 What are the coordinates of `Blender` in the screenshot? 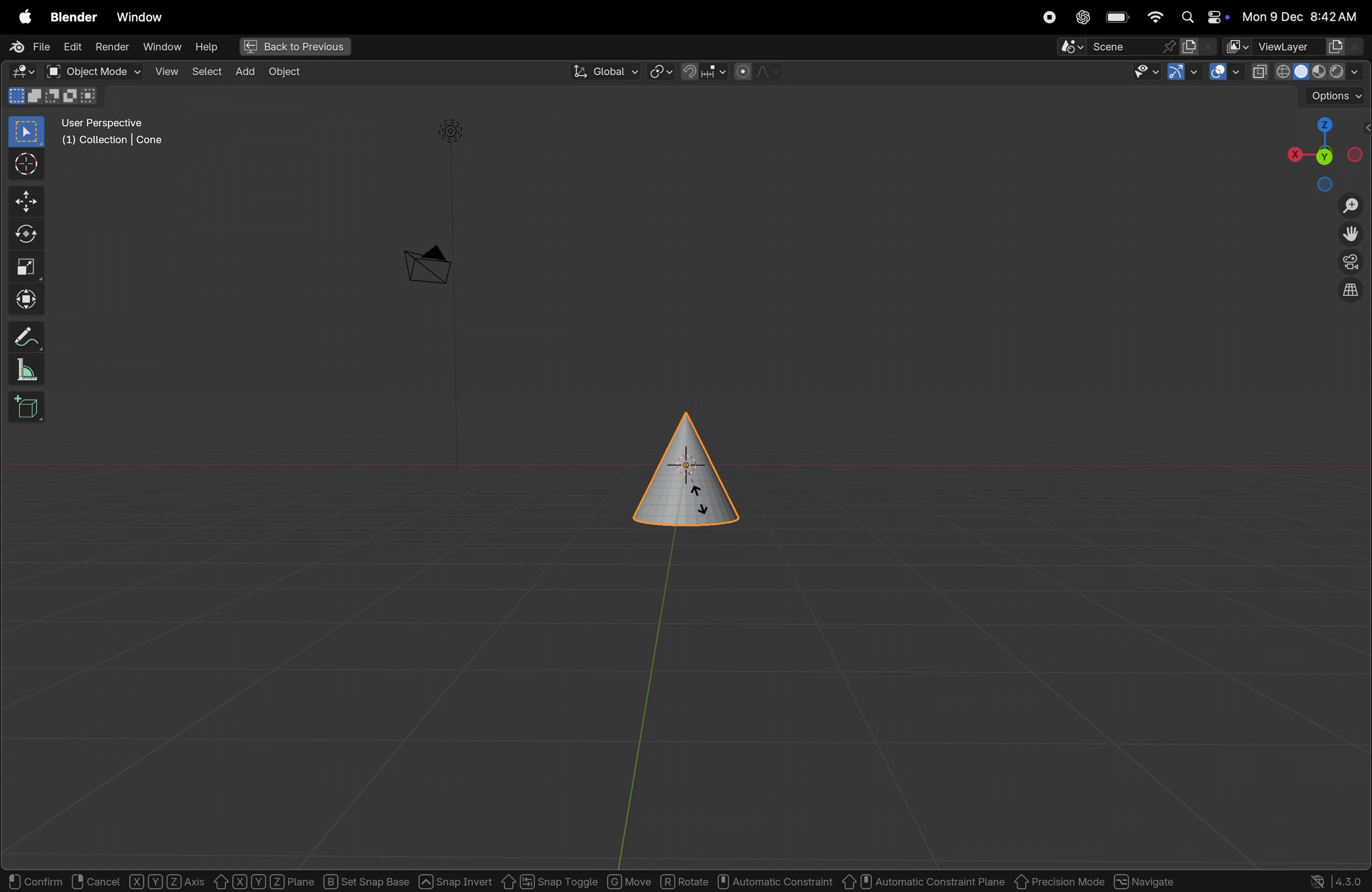 It's located at (75, 17).